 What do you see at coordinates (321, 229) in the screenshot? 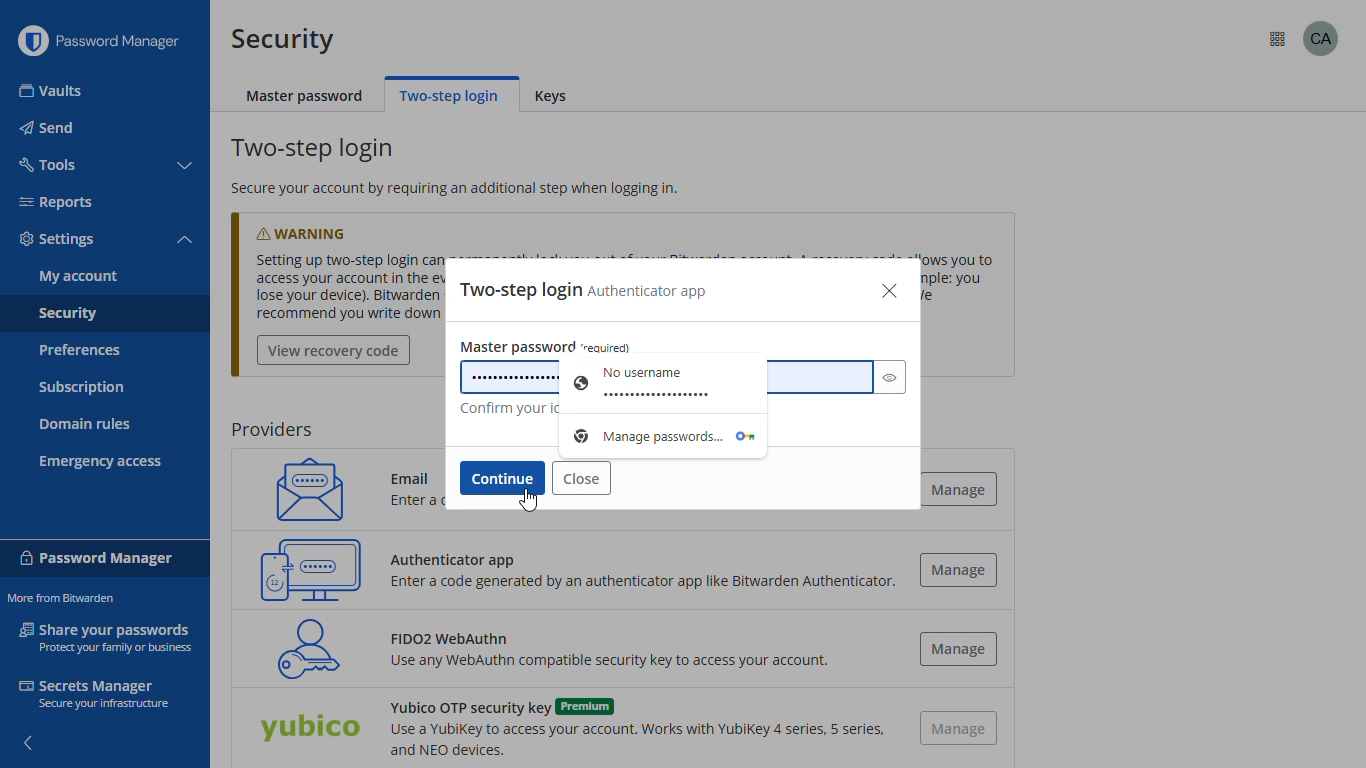
I see `warning` at bounding box center [321, 229].